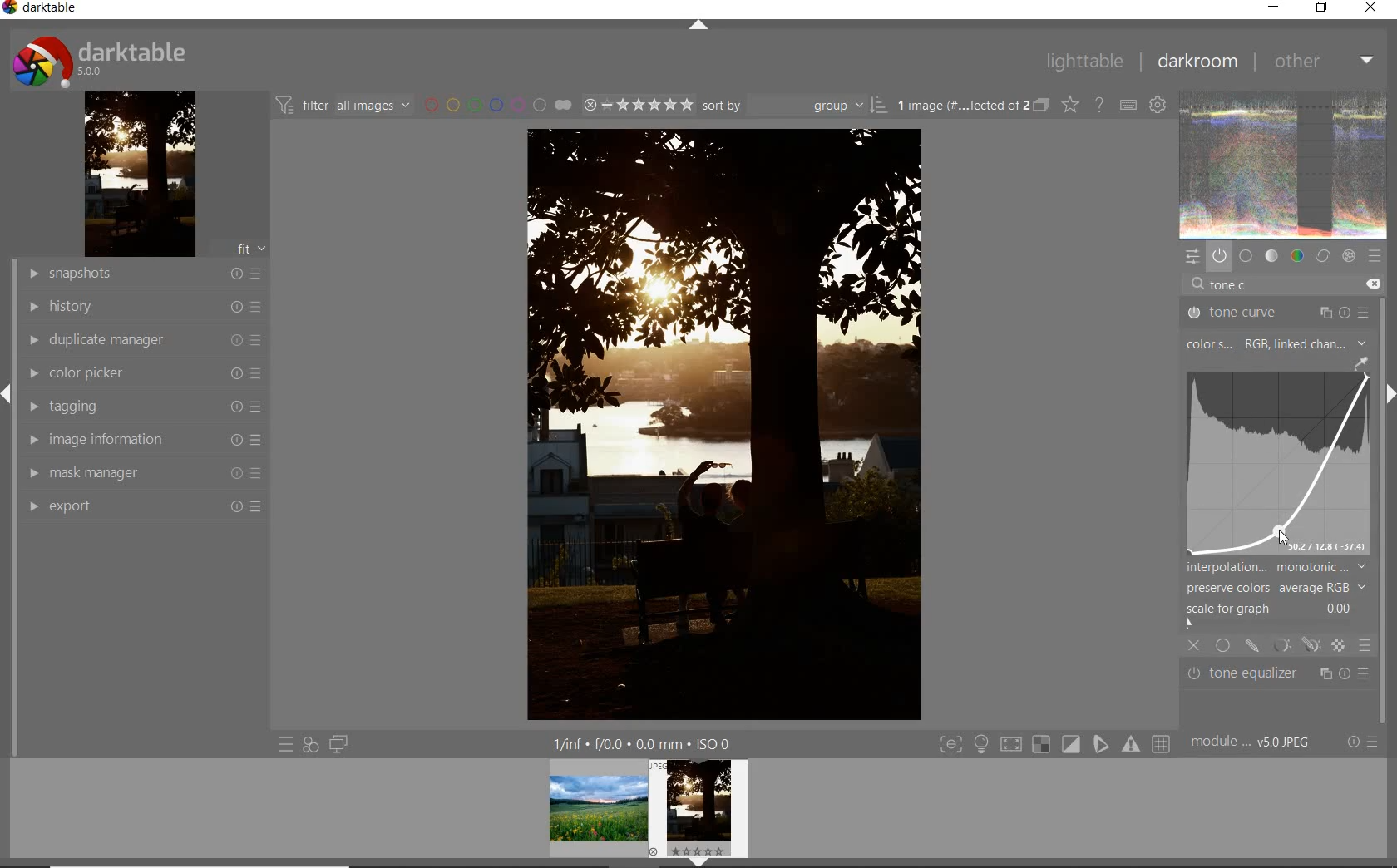  I want to click on darktable, so click(99, 59).